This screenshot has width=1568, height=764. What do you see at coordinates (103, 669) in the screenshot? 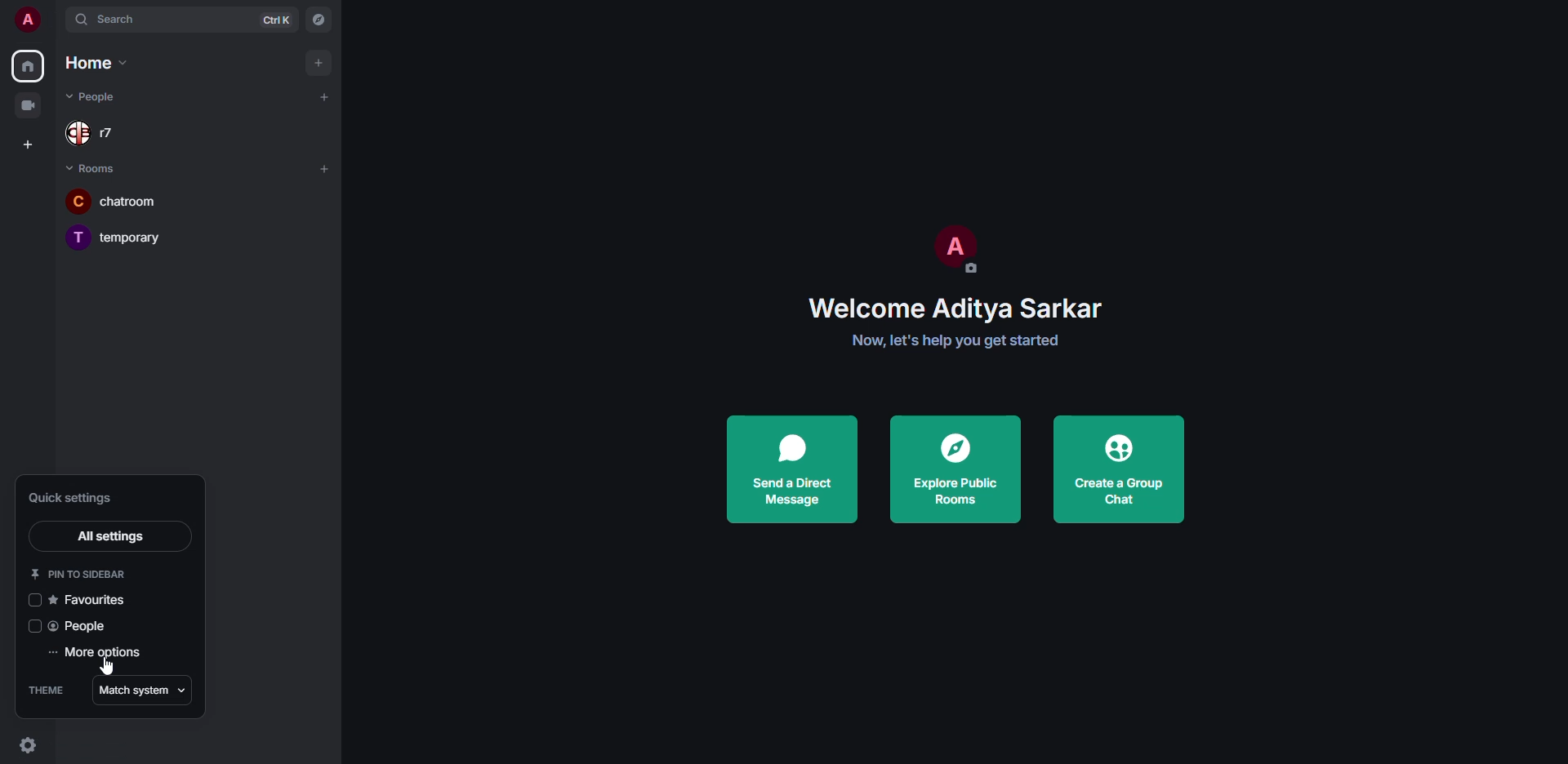
I see `cursor` at bounding box center [103, 669].